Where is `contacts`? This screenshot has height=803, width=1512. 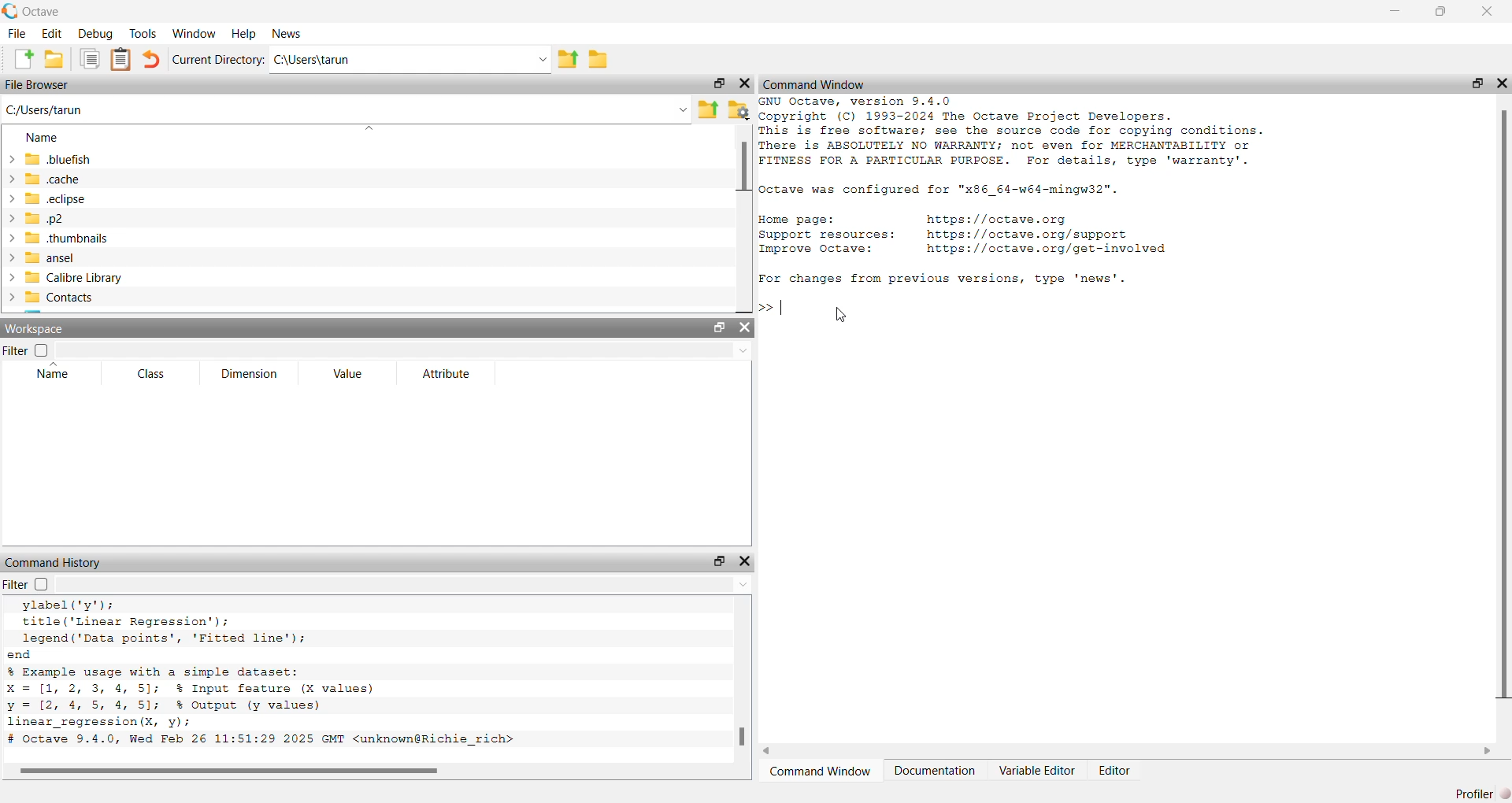 contacts is located at coordinates (128, 301).